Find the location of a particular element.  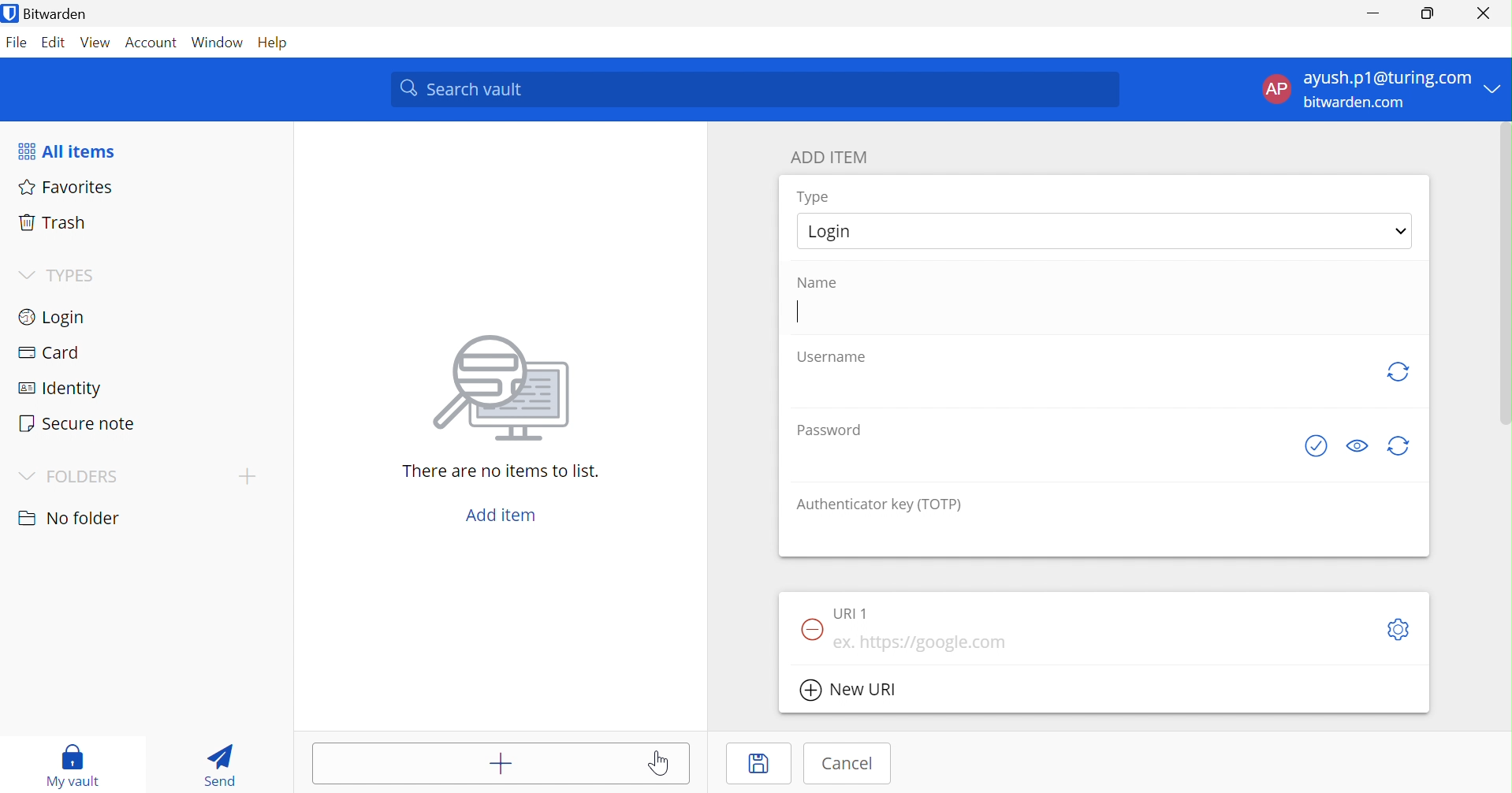

Login is located at coordinates (836, 229).